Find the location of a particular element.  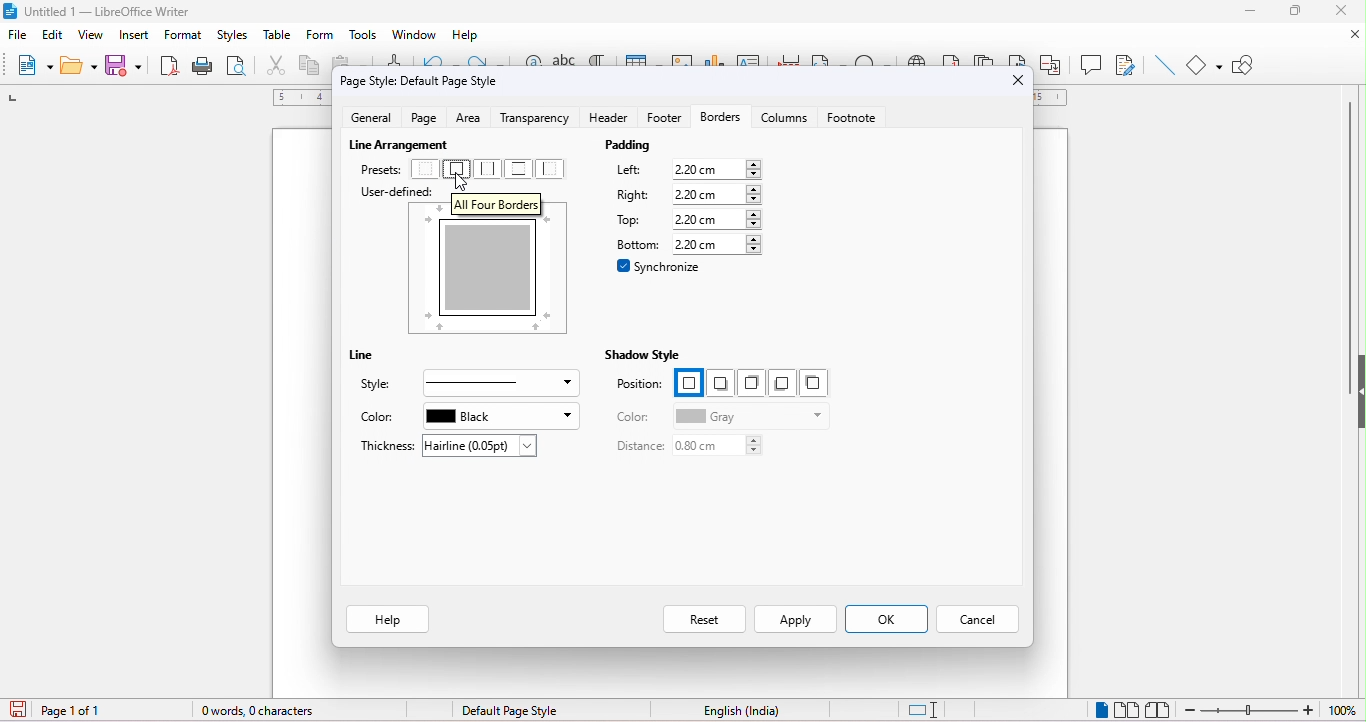

cross reference is located at coordinates (1055, 64).